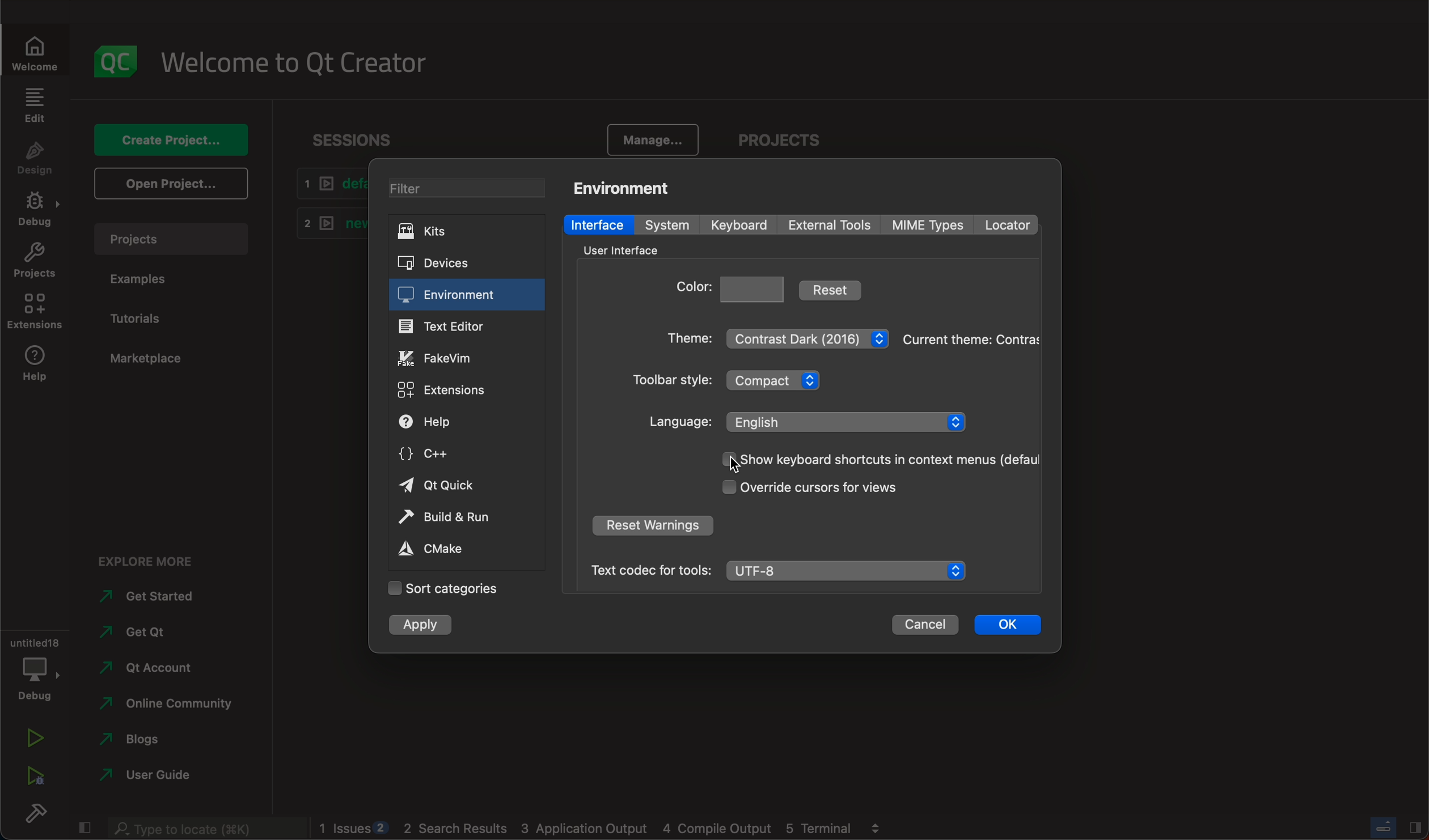 The image size is (1429, 840). I want to click on c++, so click(446, 455).